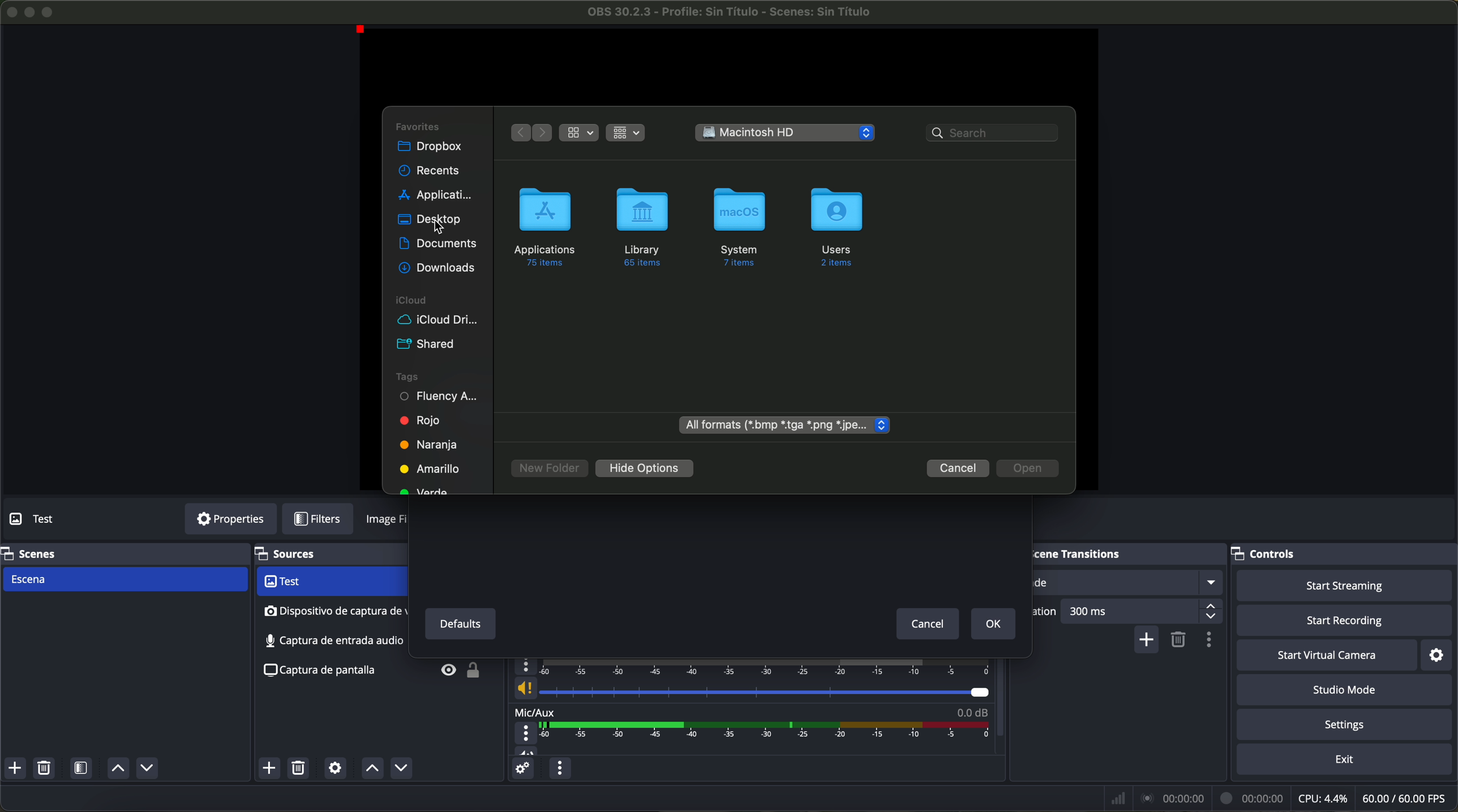  I want to click on red point, so click(363, 31).